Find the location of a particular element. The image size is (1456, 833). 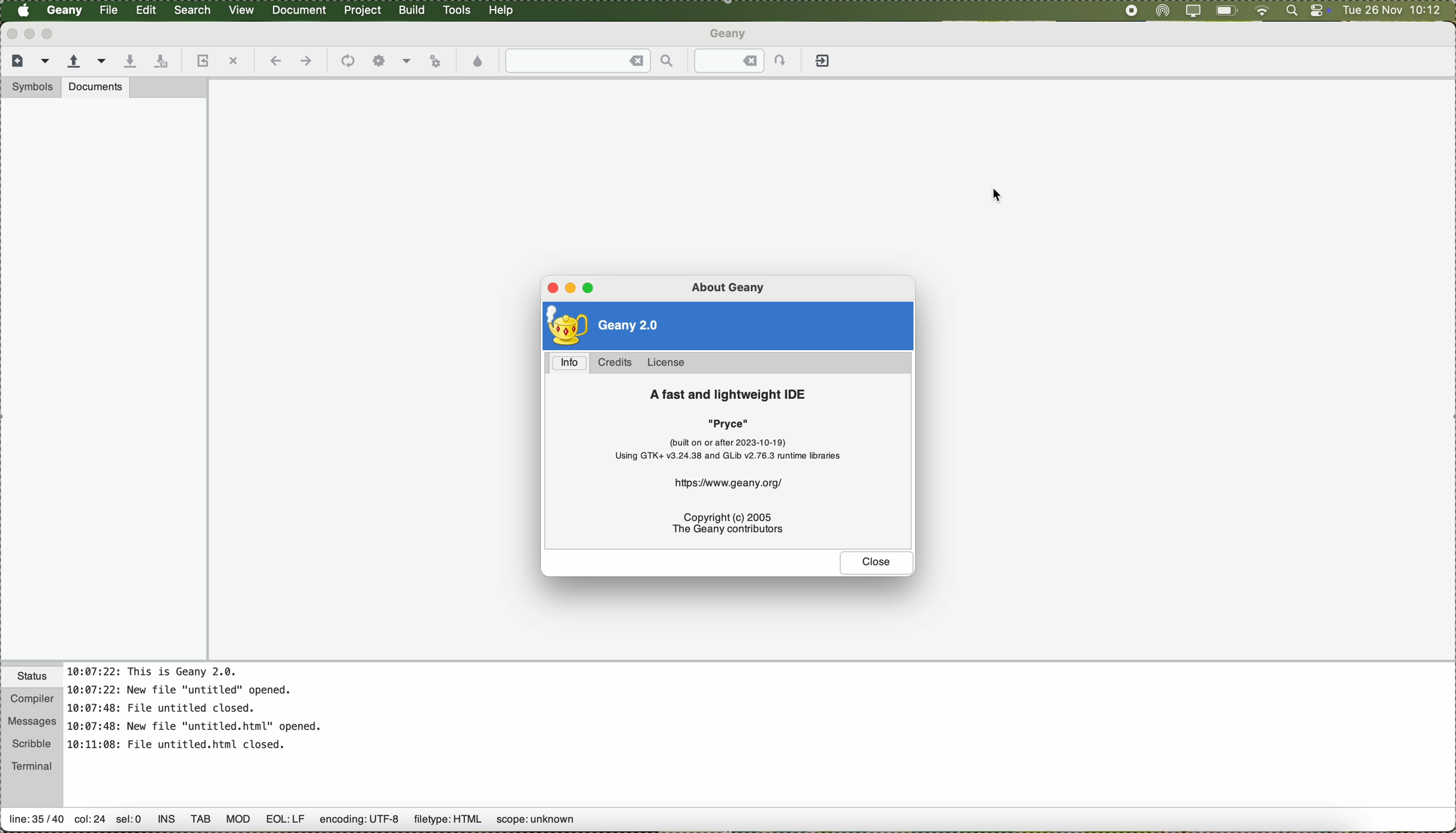

save all open files is located at coordinates (161, 62).